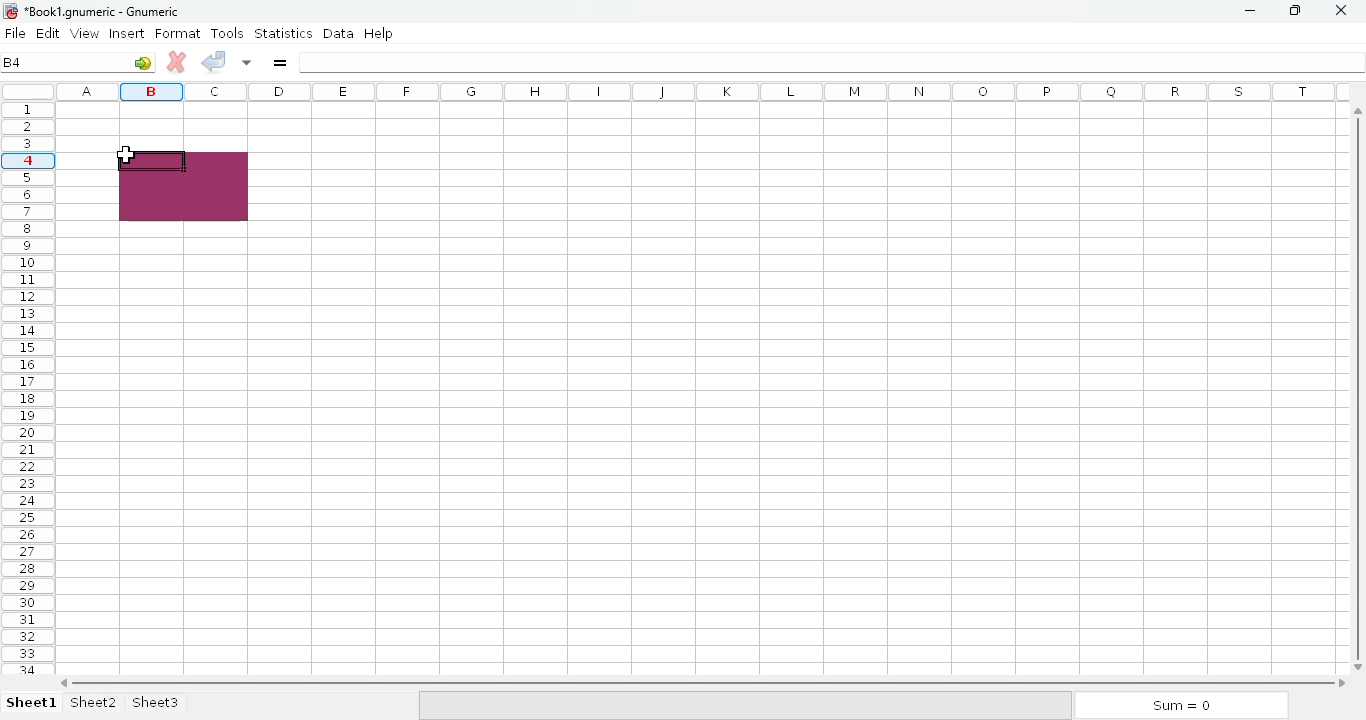  Describe the element at coordinates (832, 61) in the screenshot. I see `formula bar` at that location.